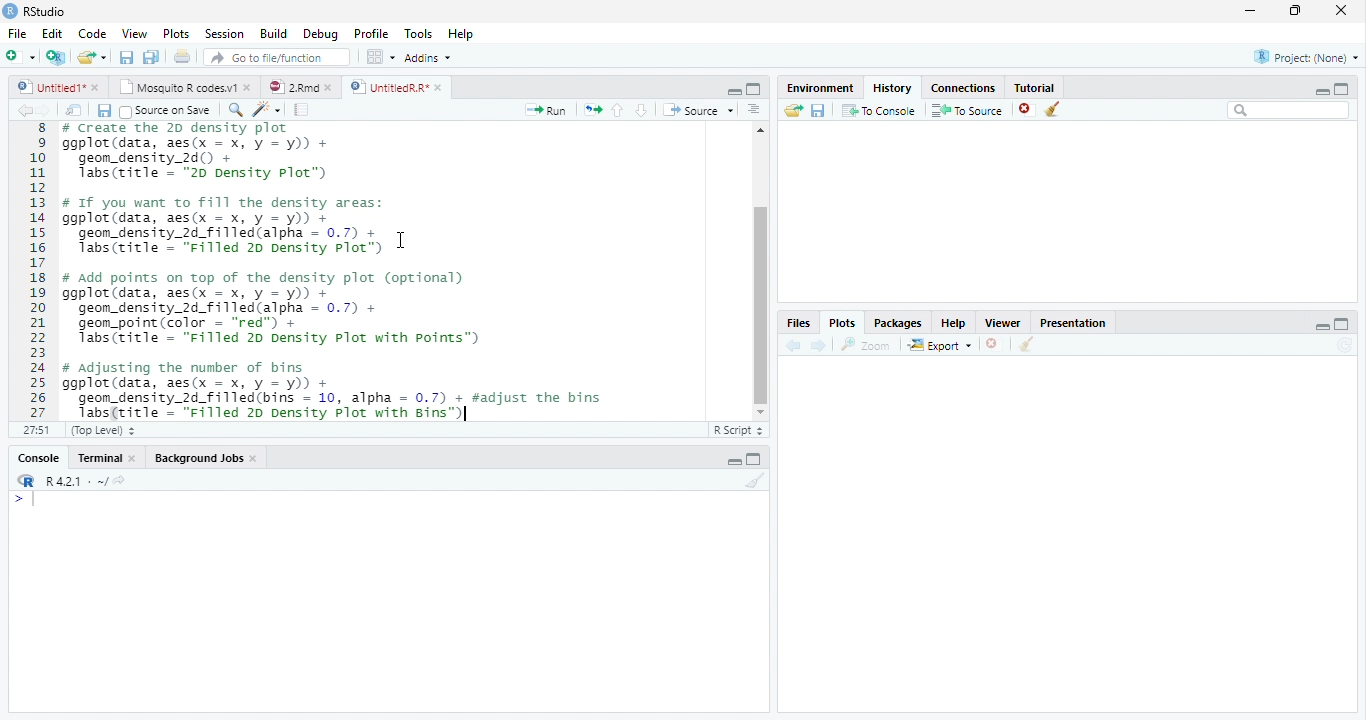  What do you see at coordinates (332, 87) in the screenshot?
I see `close` at bounding box center [332, 87].